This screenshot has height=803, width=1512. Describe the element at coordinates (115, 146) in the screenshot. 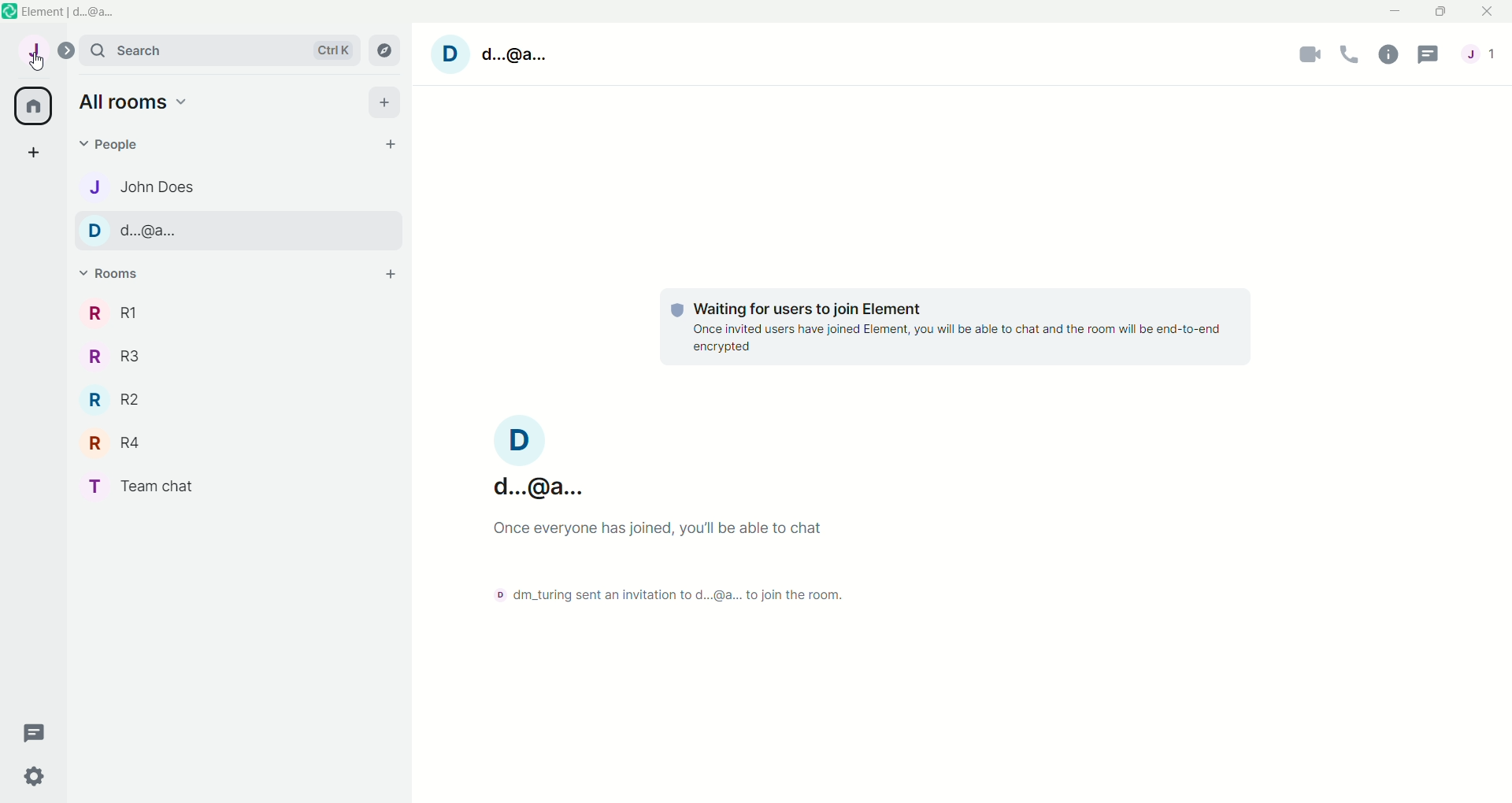

I see `People` at that location.